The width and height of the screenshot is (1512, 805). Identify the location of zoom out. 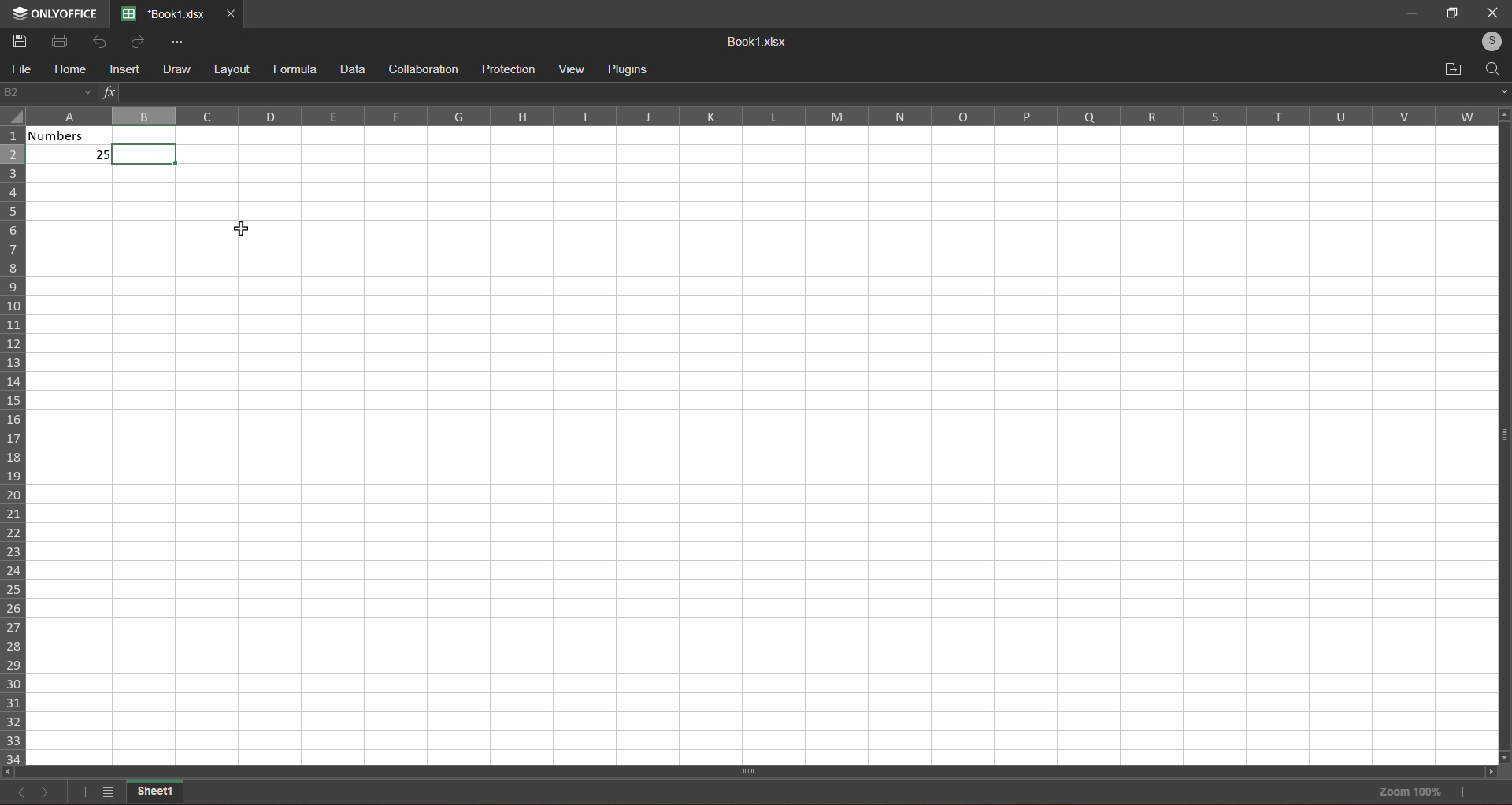
(1357, 791).